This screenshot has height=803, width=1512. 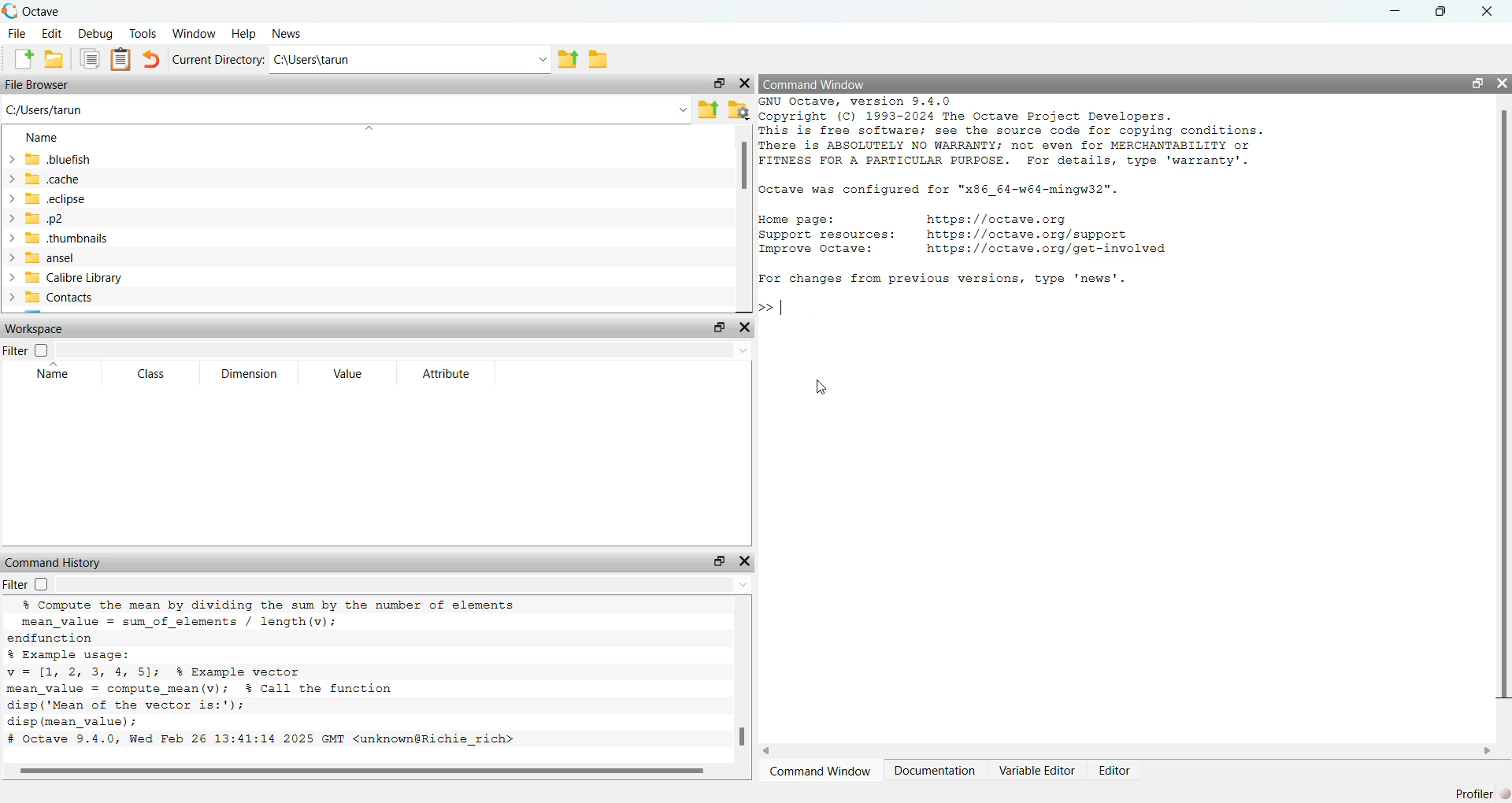 What do you see at coordinates (23, 59) in the screenshot?
I see `add file` at bounding box center [23, 59].